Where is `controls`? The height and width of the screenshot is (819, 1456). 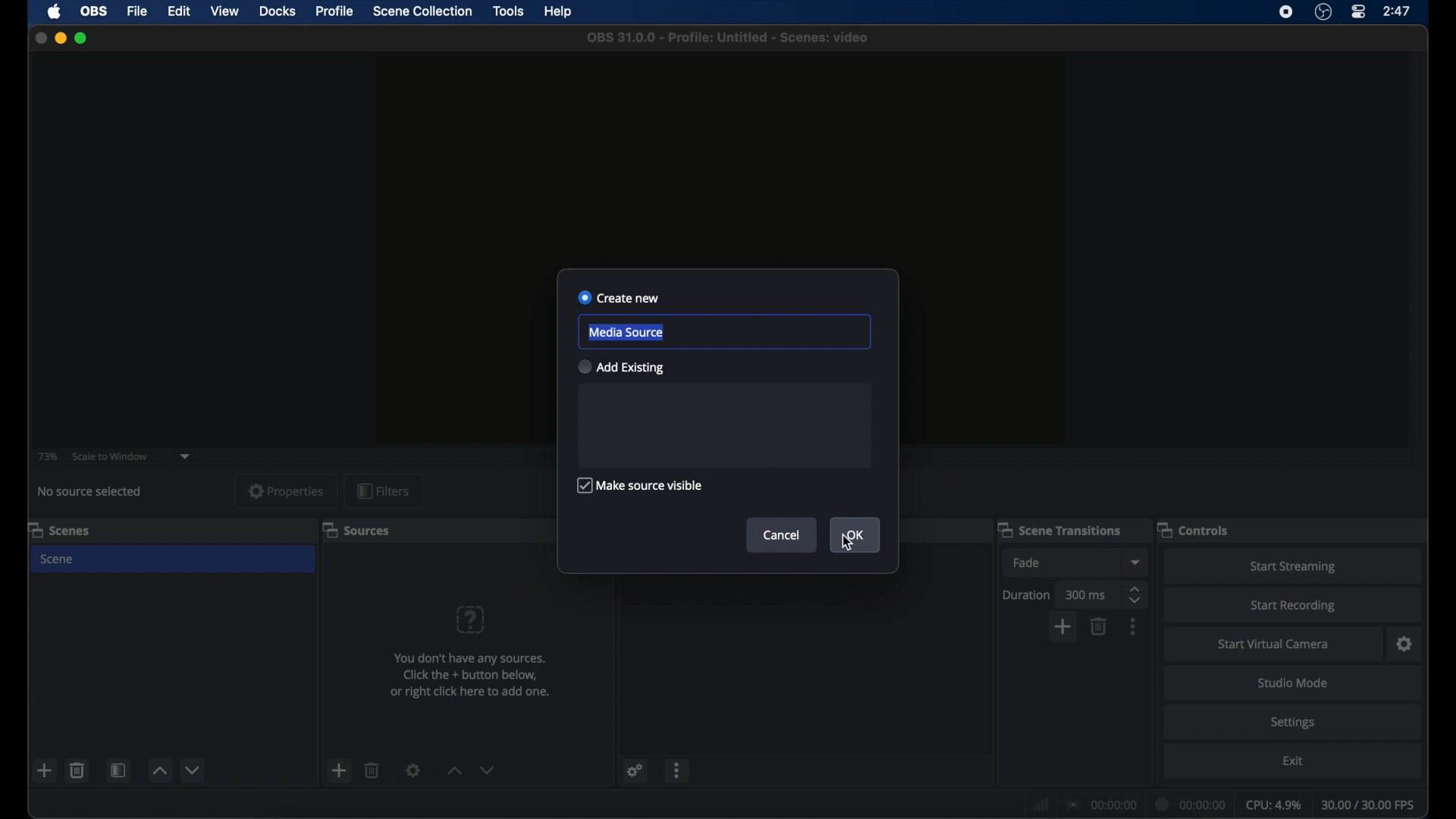
controls is located at coordinates (1194, 529).